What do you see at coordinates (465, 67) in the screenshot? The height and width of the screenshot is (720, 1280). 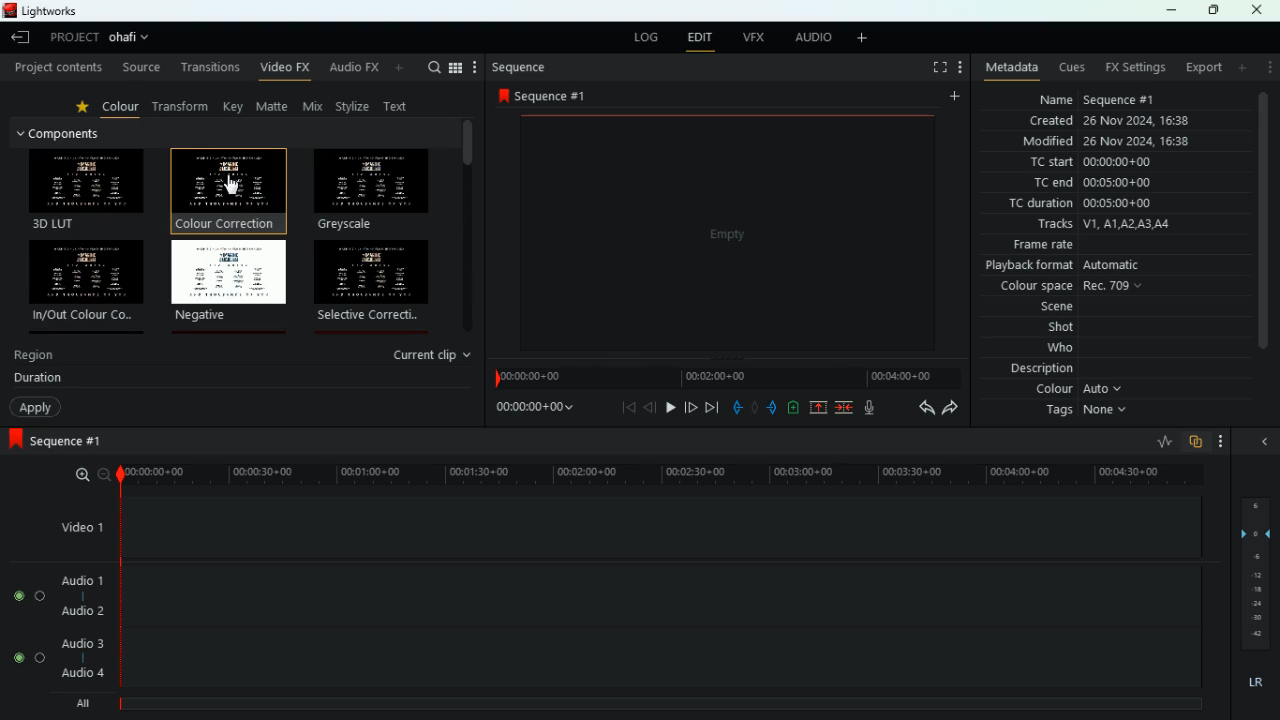 I see `menu` at bounding box center [465, 67].